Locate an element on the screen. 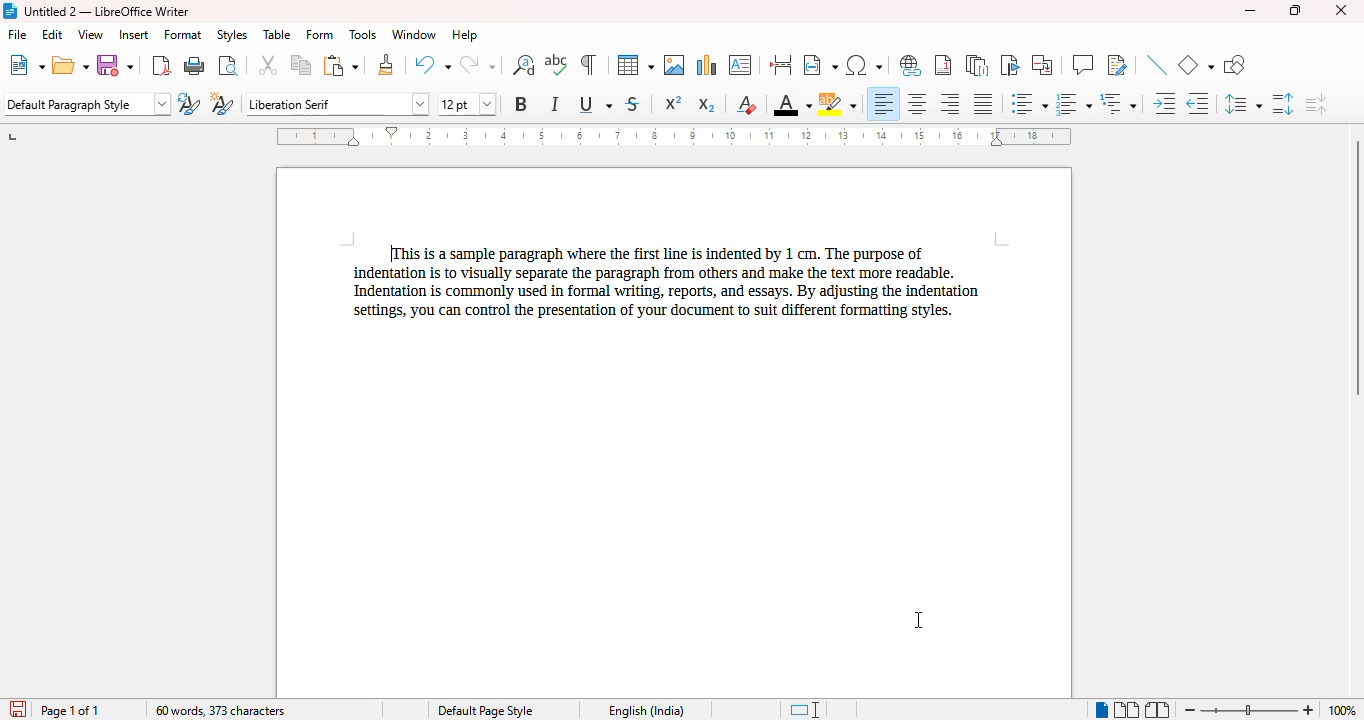 This screenshot has height=720, width=1364. paste is located at coordinates (341, 66).